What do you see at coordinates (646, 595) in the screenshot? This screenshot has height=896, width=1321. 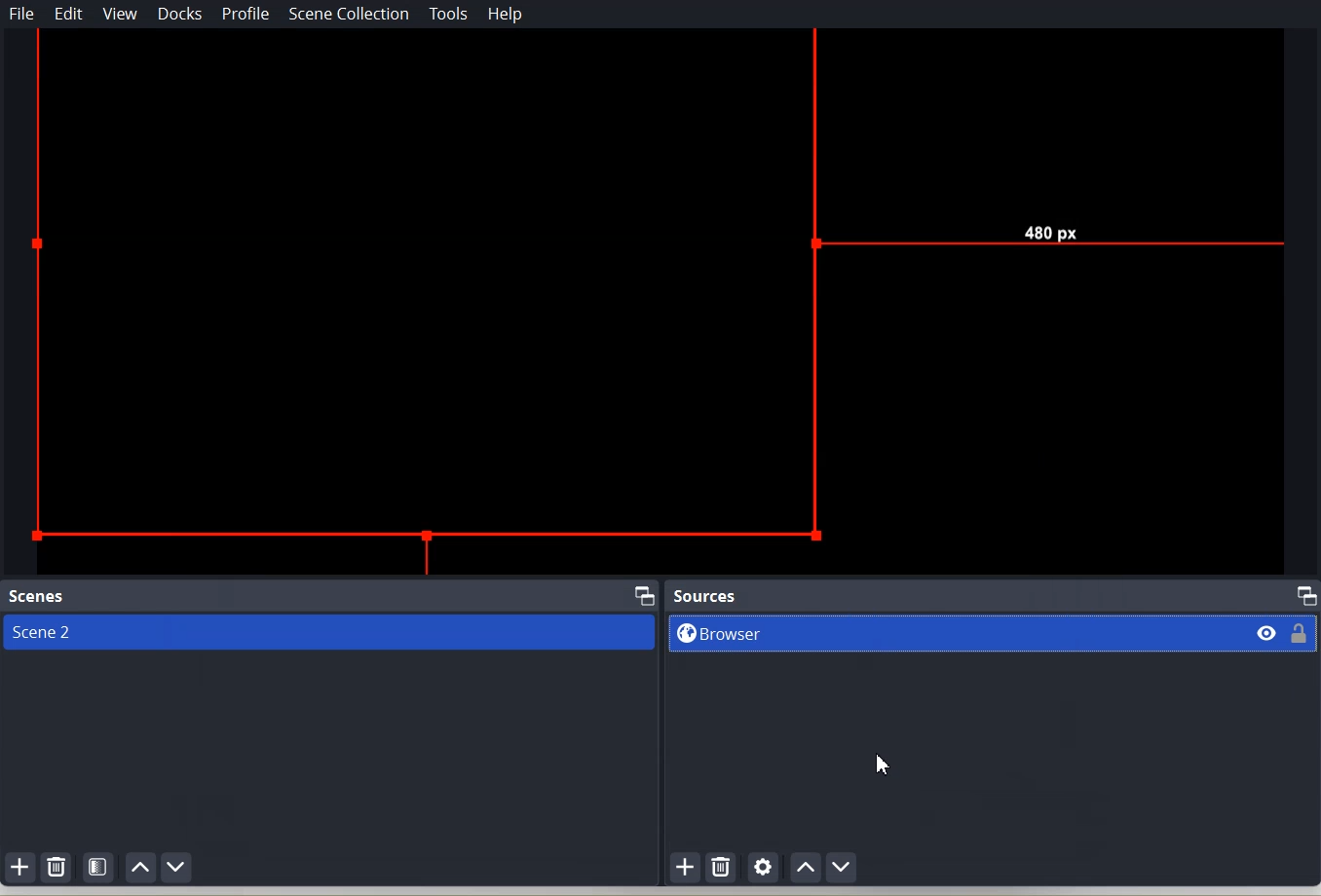 I see `Maximize` at bounding box center [646, 595].